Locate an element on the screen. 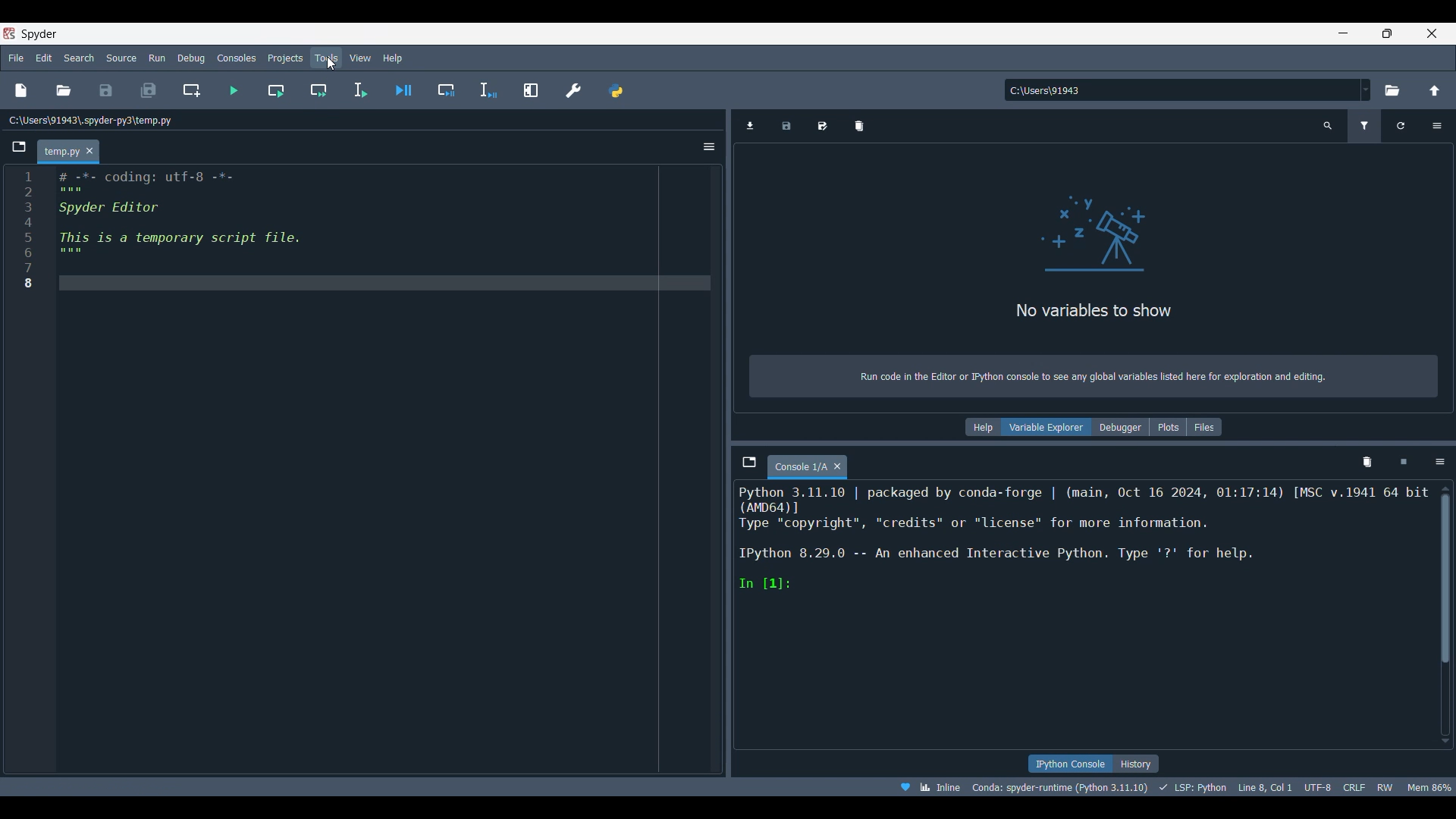 The image size is (1456, 819). Software name is located at coordinates (39, 33).